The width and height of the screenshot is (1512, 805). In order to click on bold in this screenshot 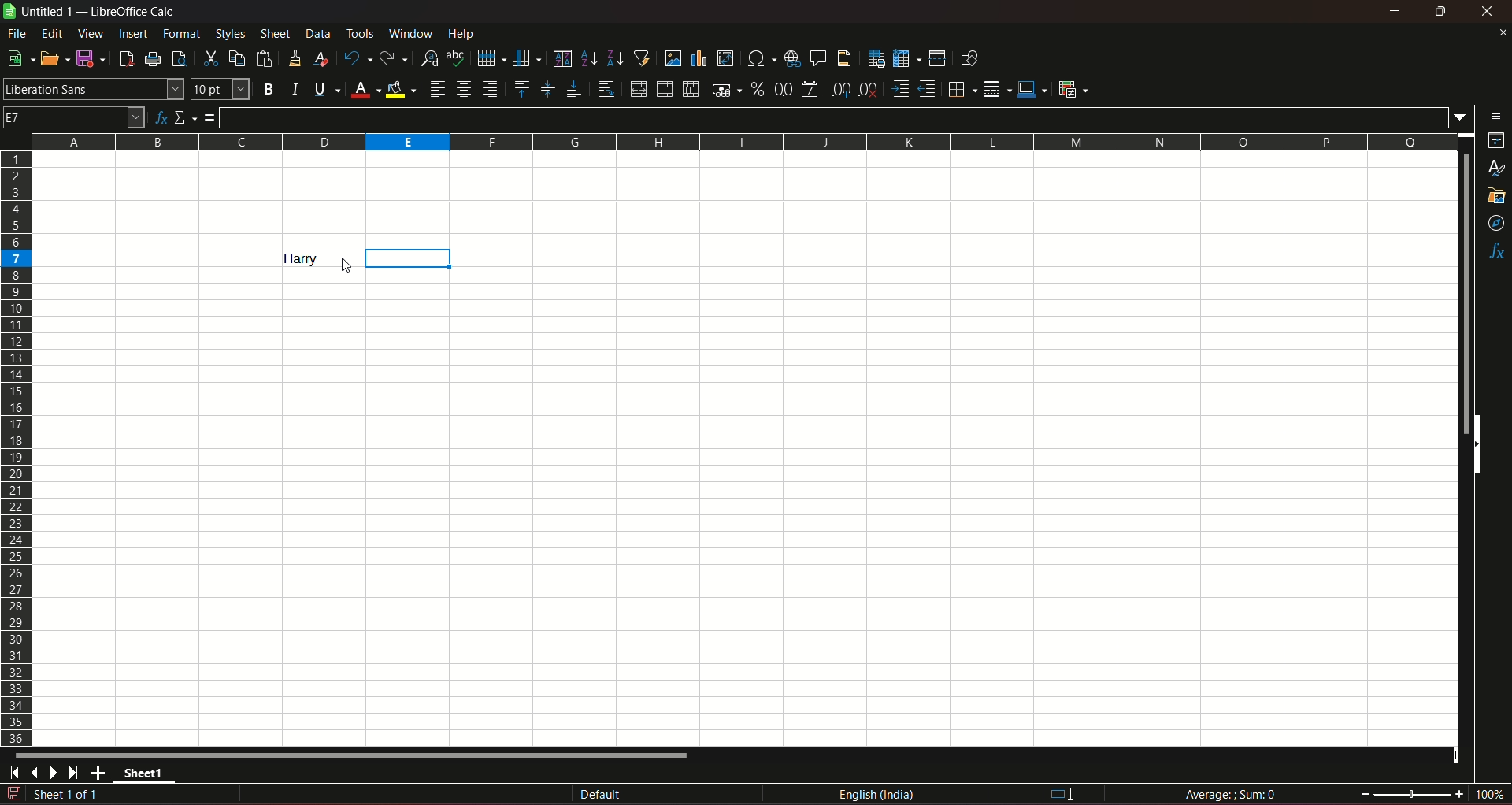, I will do `click(268, 90)`.